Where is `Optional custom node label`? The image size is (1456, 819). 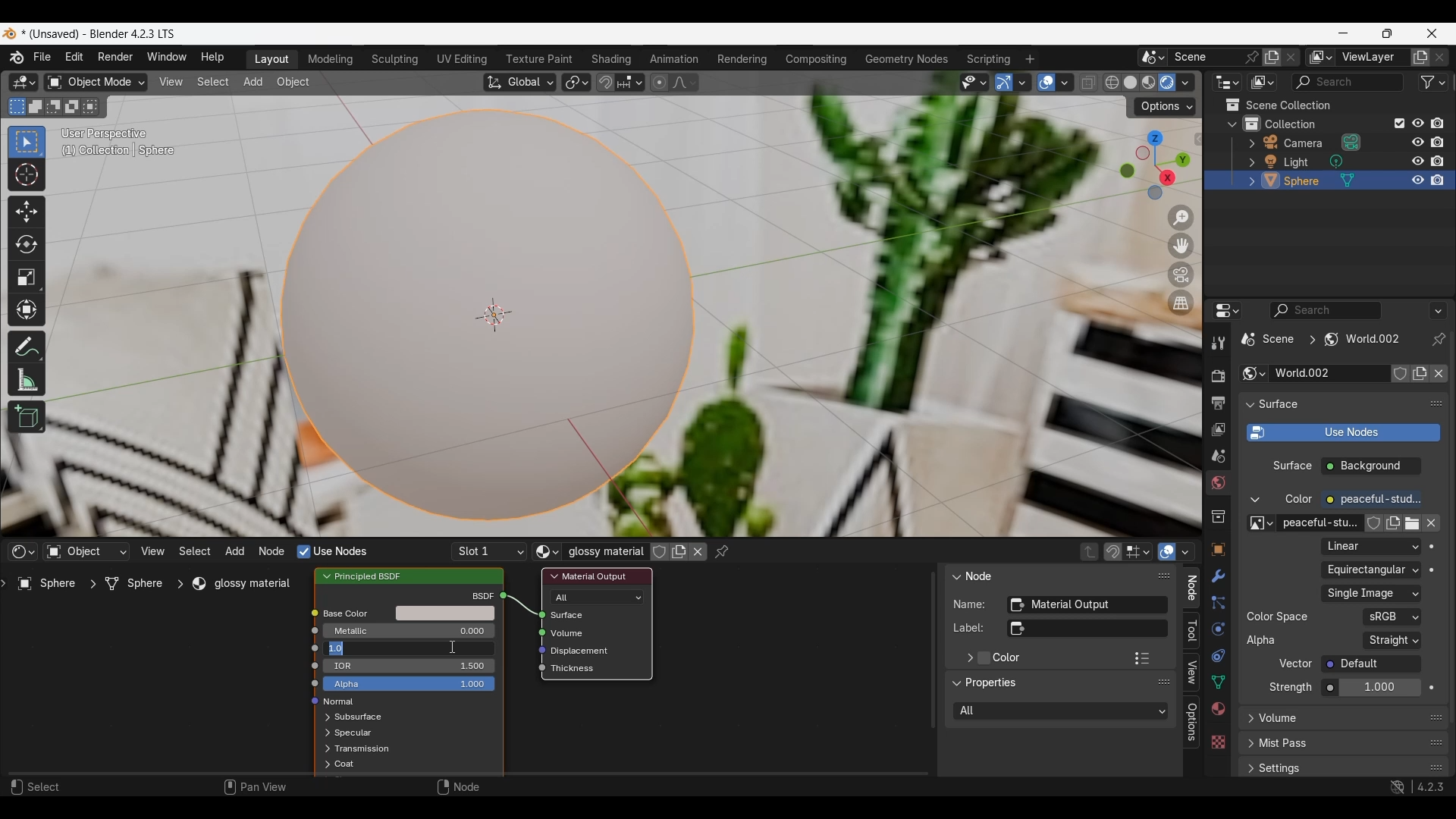 Optional custom node label is located at coordinates (1087, 629).